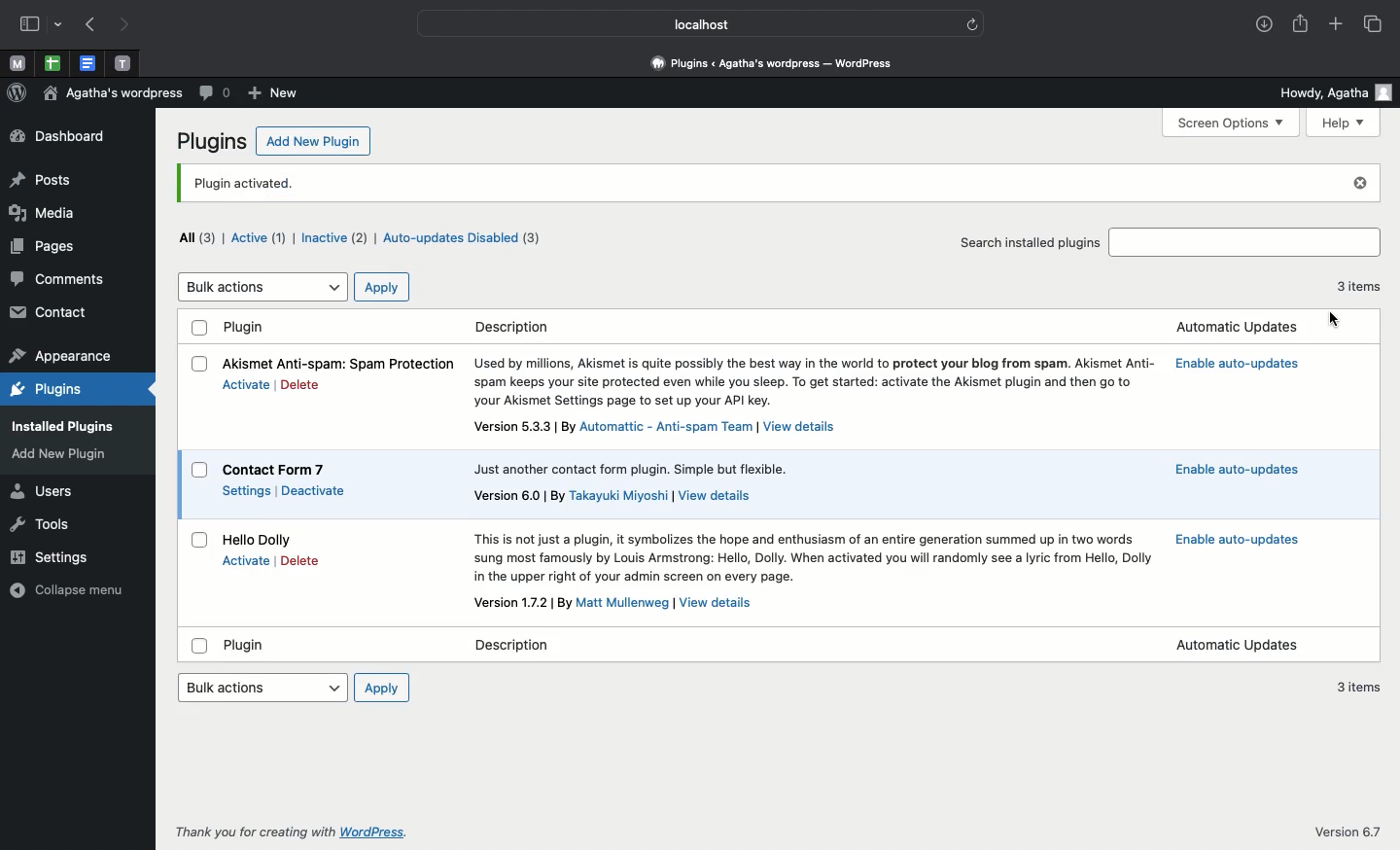 The image size is (1400, 850). I want to click on Previous page, so click(87, 25).